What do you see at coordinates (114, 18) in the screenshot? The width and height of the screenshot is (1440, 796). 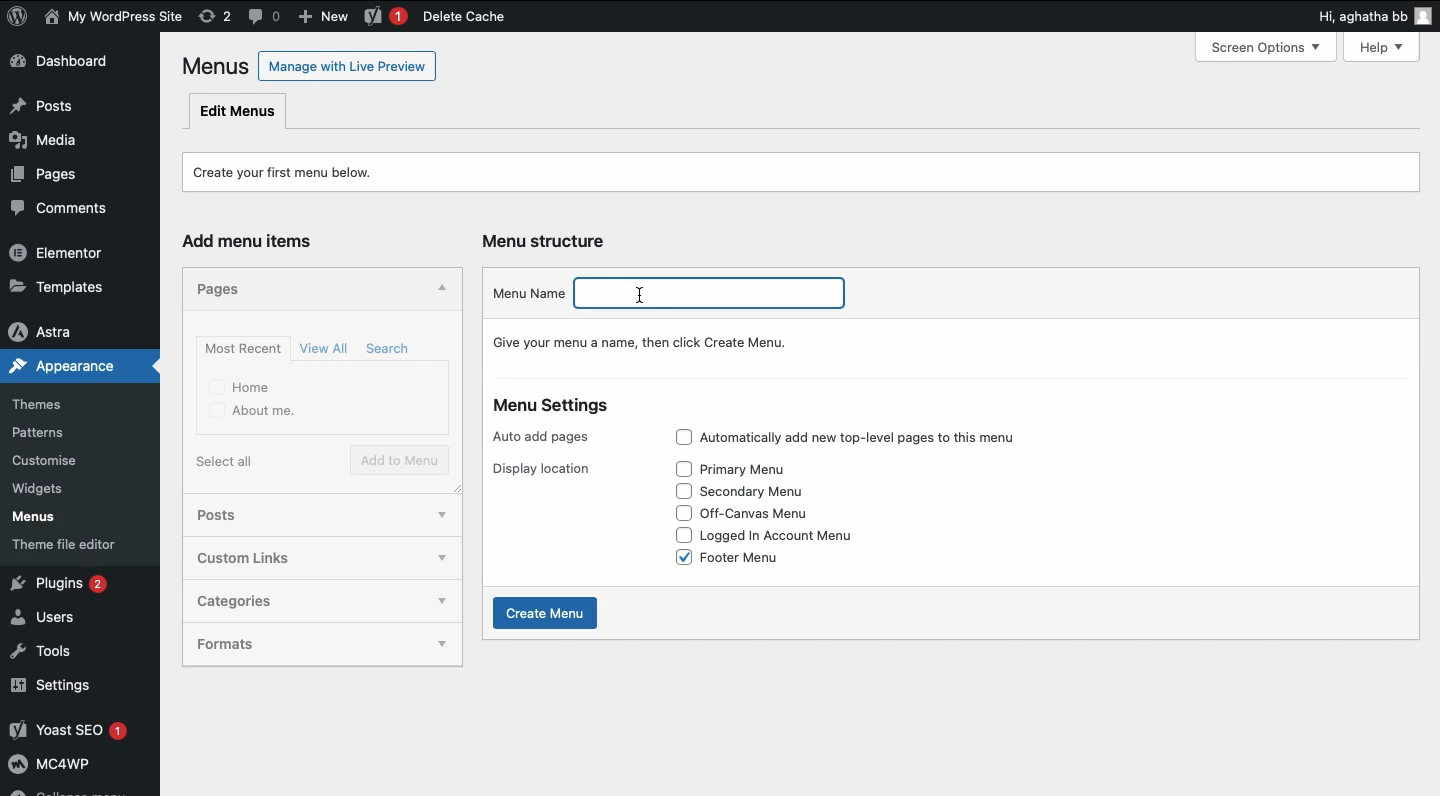 I see `User` at bounding box center [114, 18].